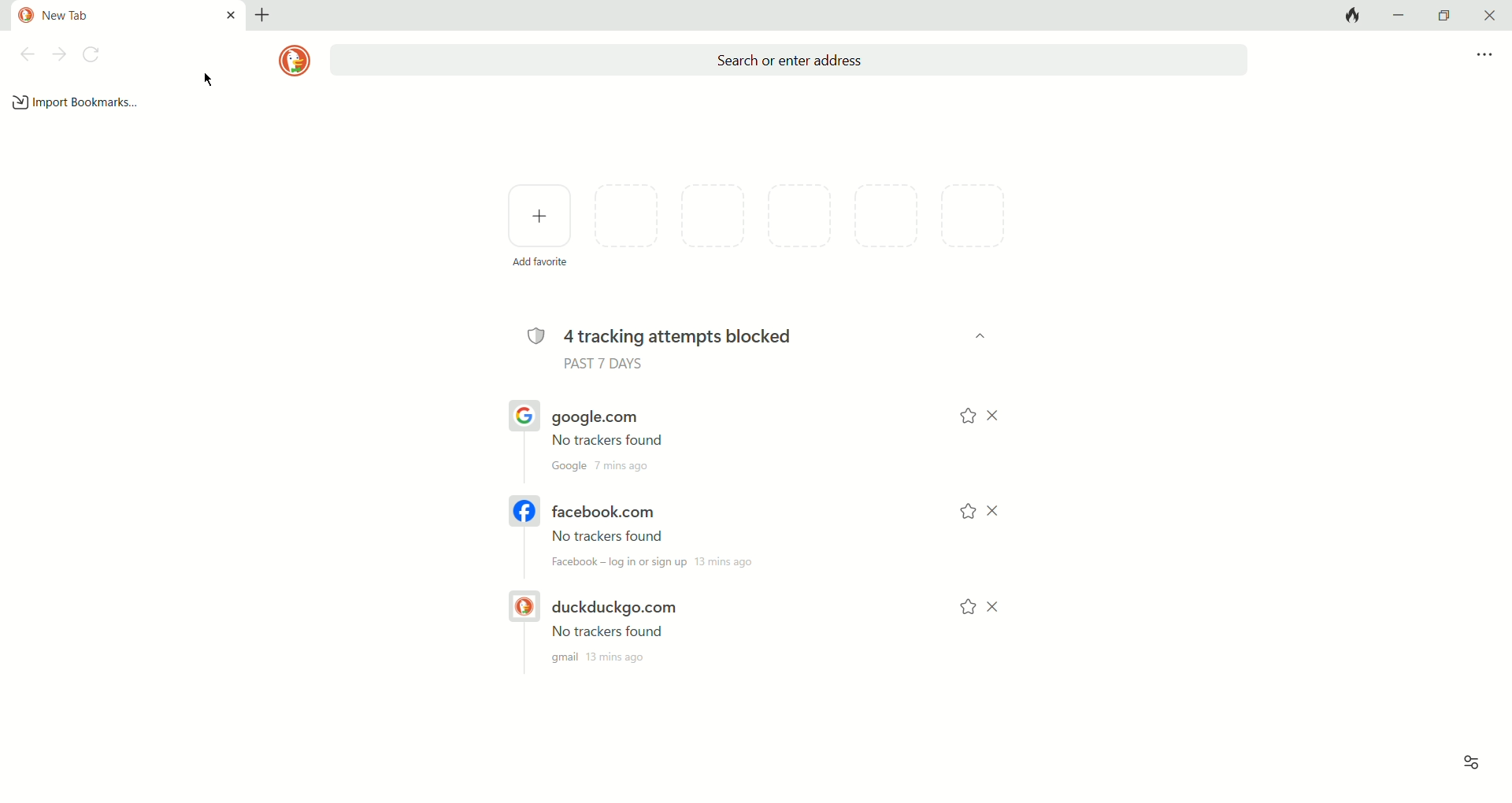  Describe the element at coordinates (970, 512) in the screenshot. I see `add to favorites ` at that location.